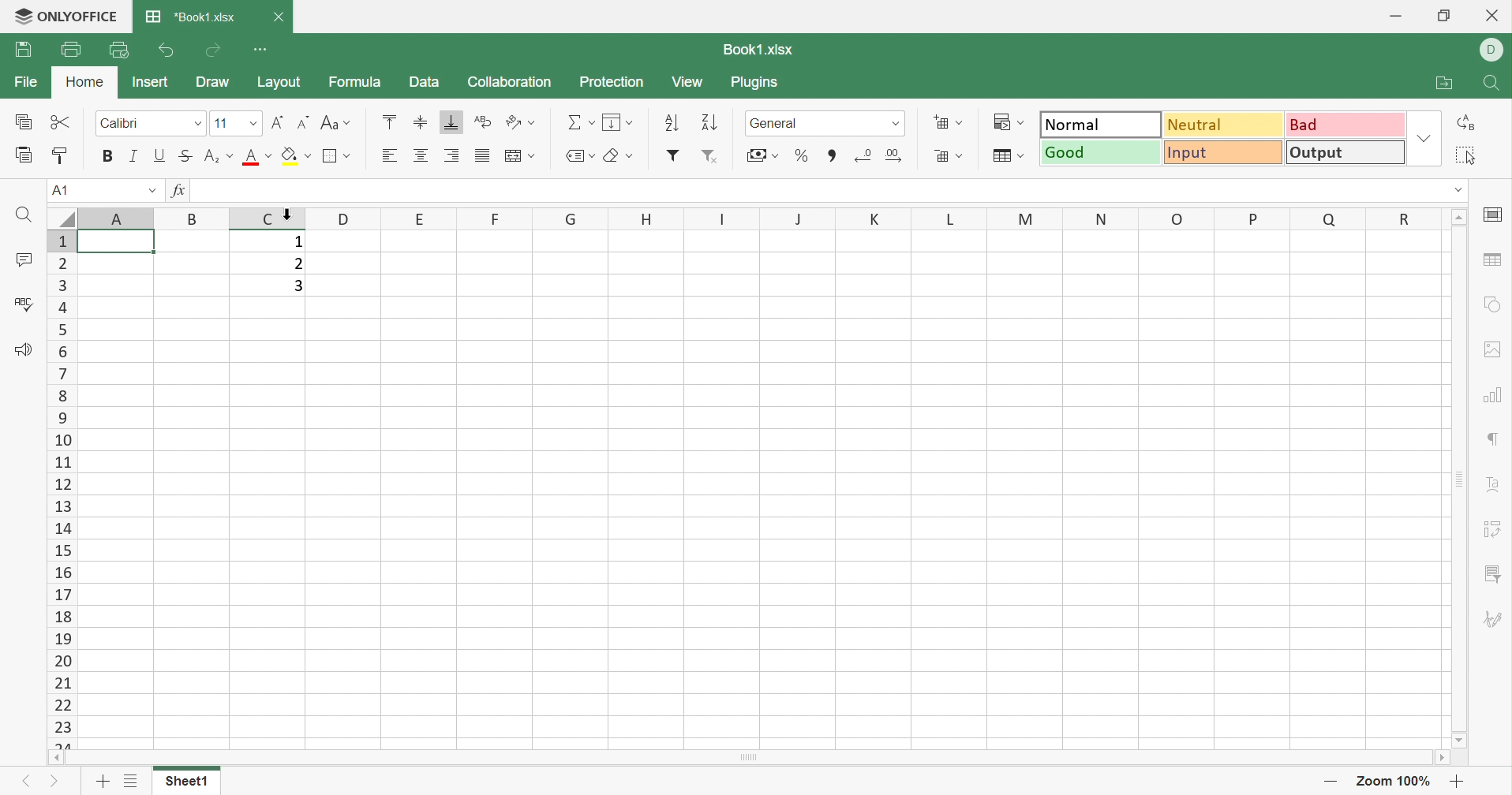 The width and height of the screenshot is (1512, 795). Describe the element at coordinates (329, 157) in the screenshot. I see `Borders` at that location.